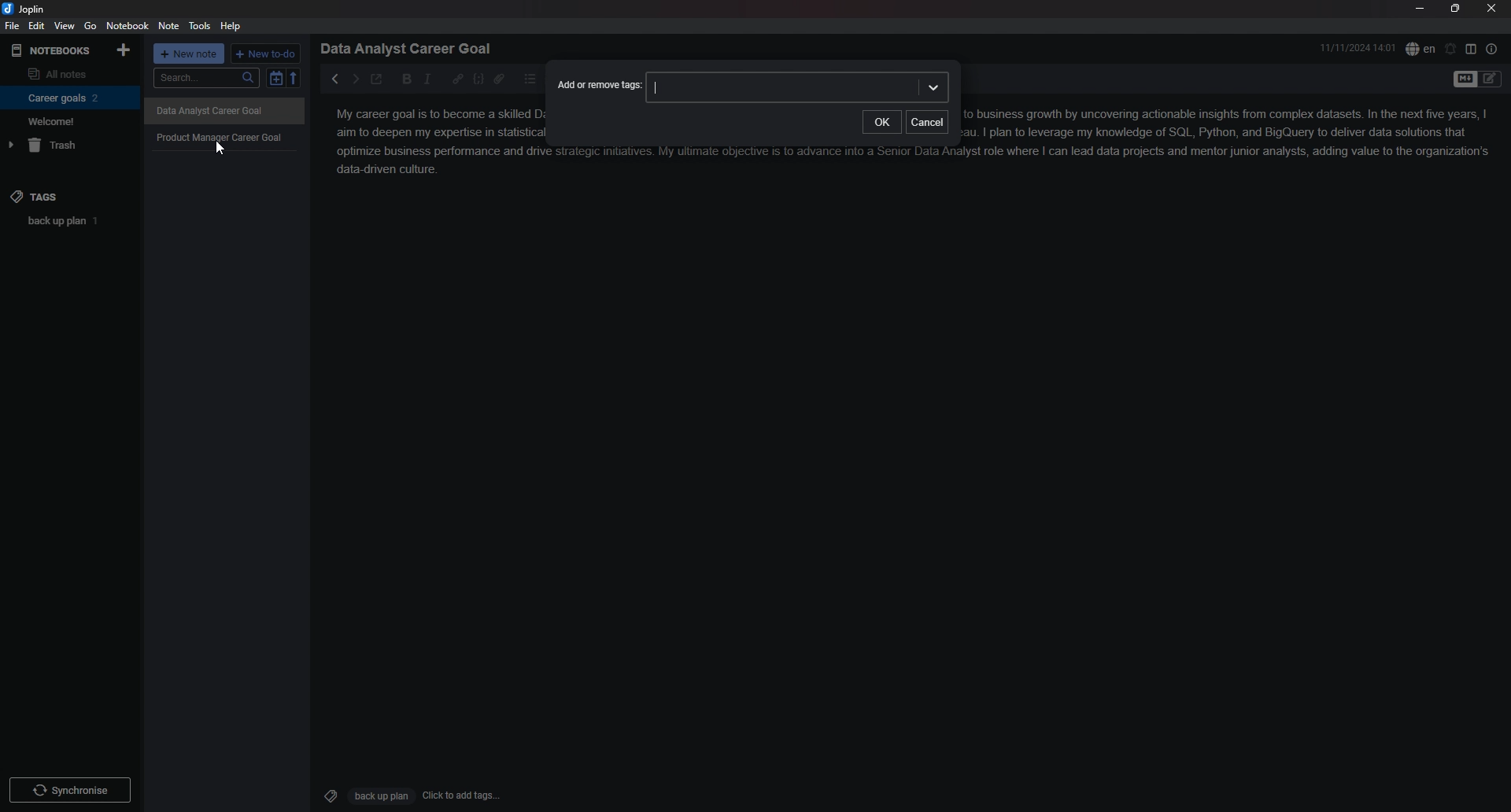  What do you see at coordinates (189, 54) in the screenshot?
I see `+ new note` at bounding box center [189, 54].